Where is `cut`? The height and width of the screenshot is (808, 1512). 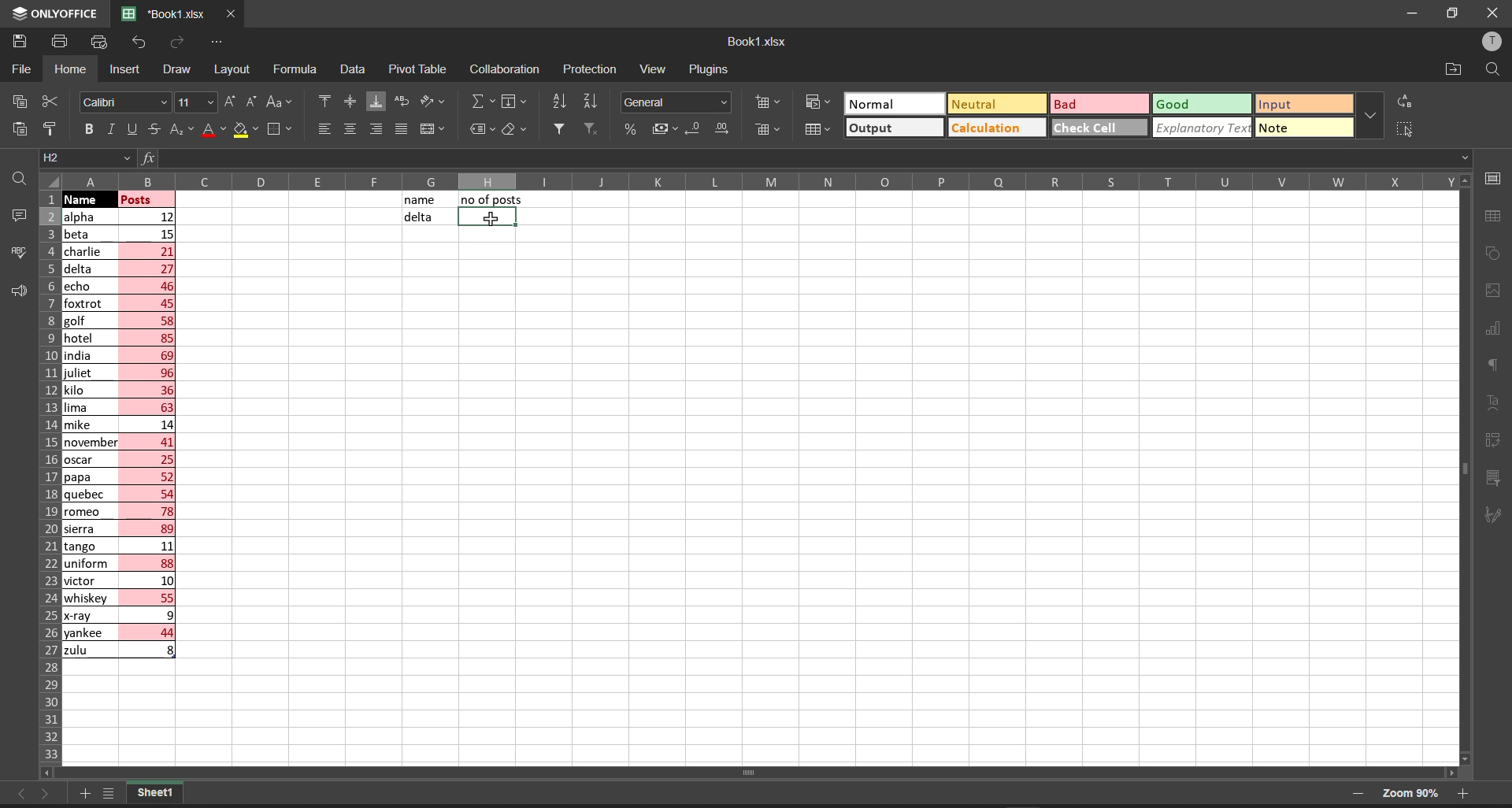 cut is located at coordinates (51, 98).